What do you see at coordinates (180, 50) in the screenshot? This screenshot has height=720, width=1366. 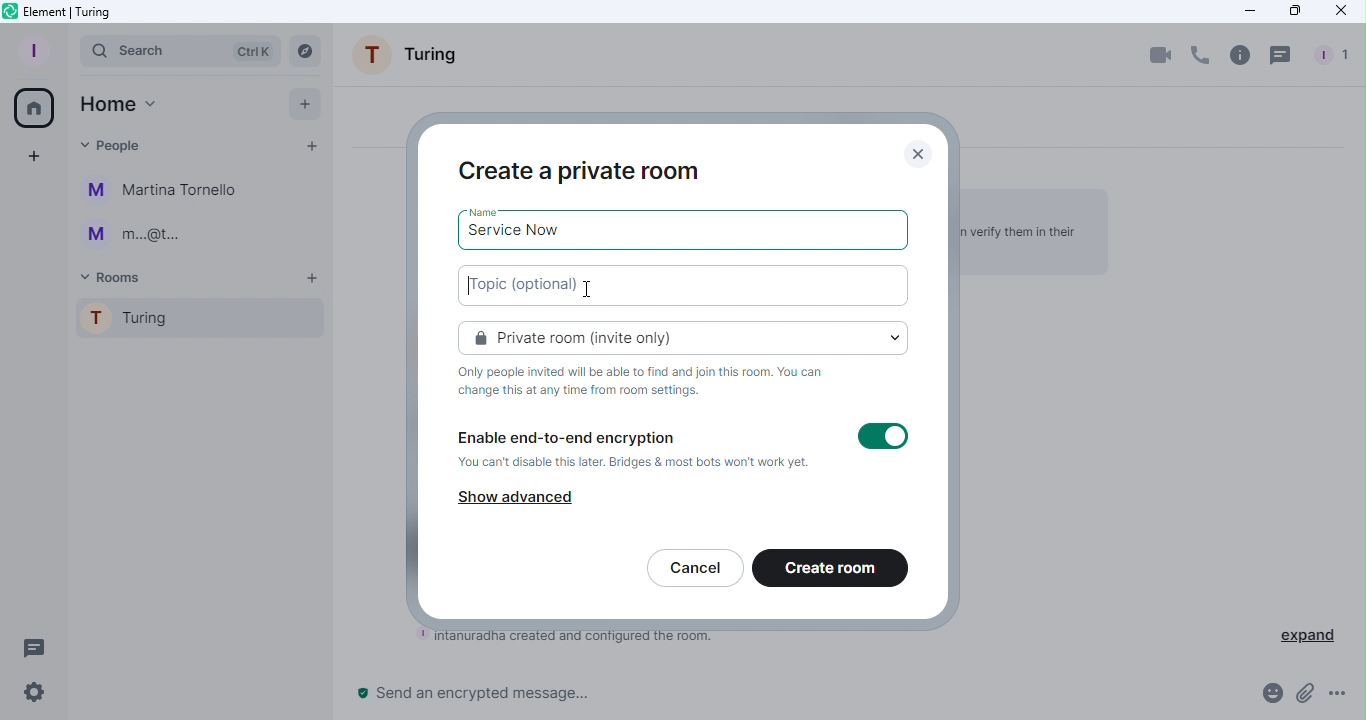 I see `Search bar` at bounding box center [180, 50].